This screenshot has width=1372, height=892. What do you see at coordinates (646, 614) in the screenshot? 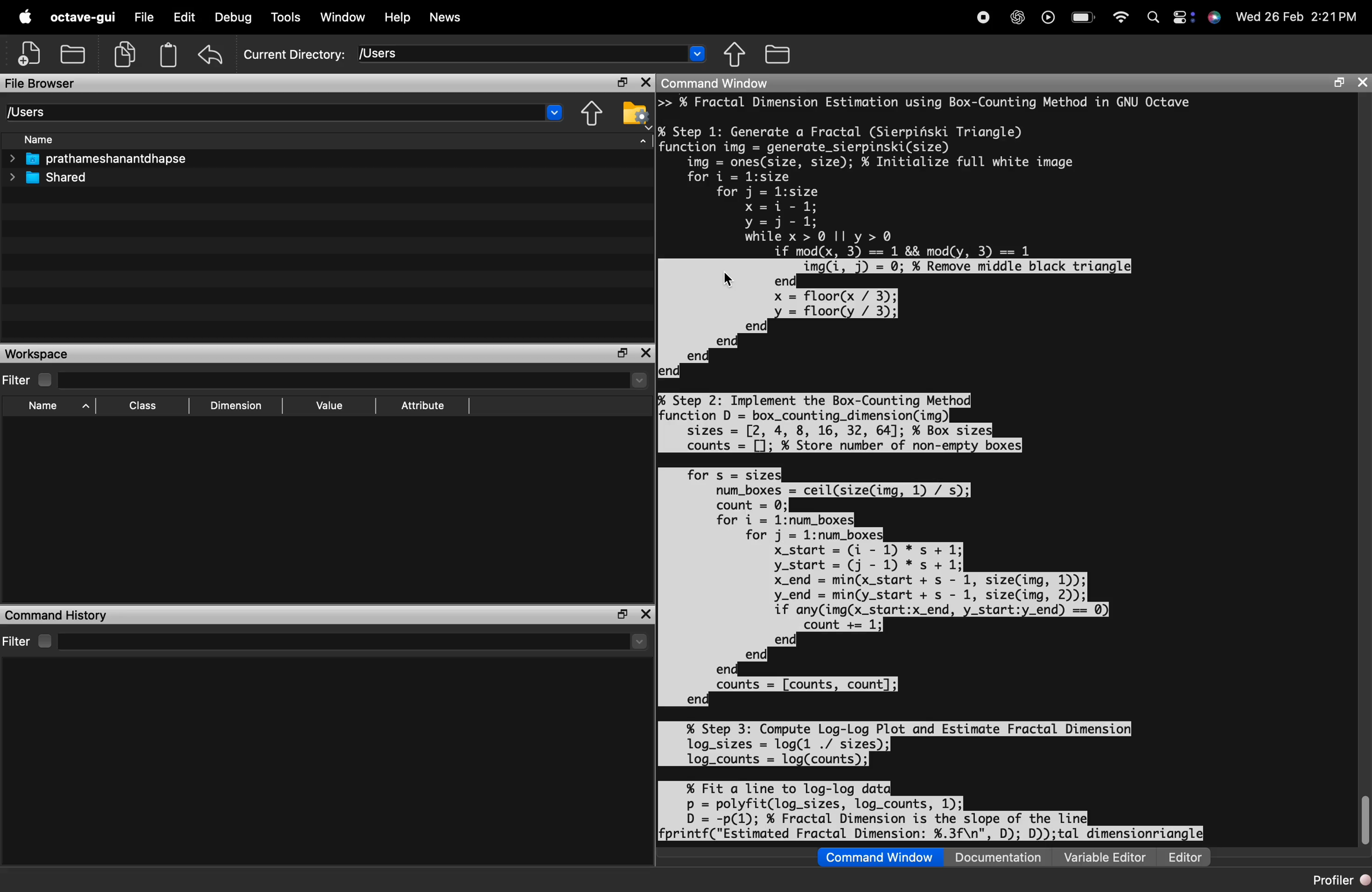
I see `close` at bounding box center [646, 614].